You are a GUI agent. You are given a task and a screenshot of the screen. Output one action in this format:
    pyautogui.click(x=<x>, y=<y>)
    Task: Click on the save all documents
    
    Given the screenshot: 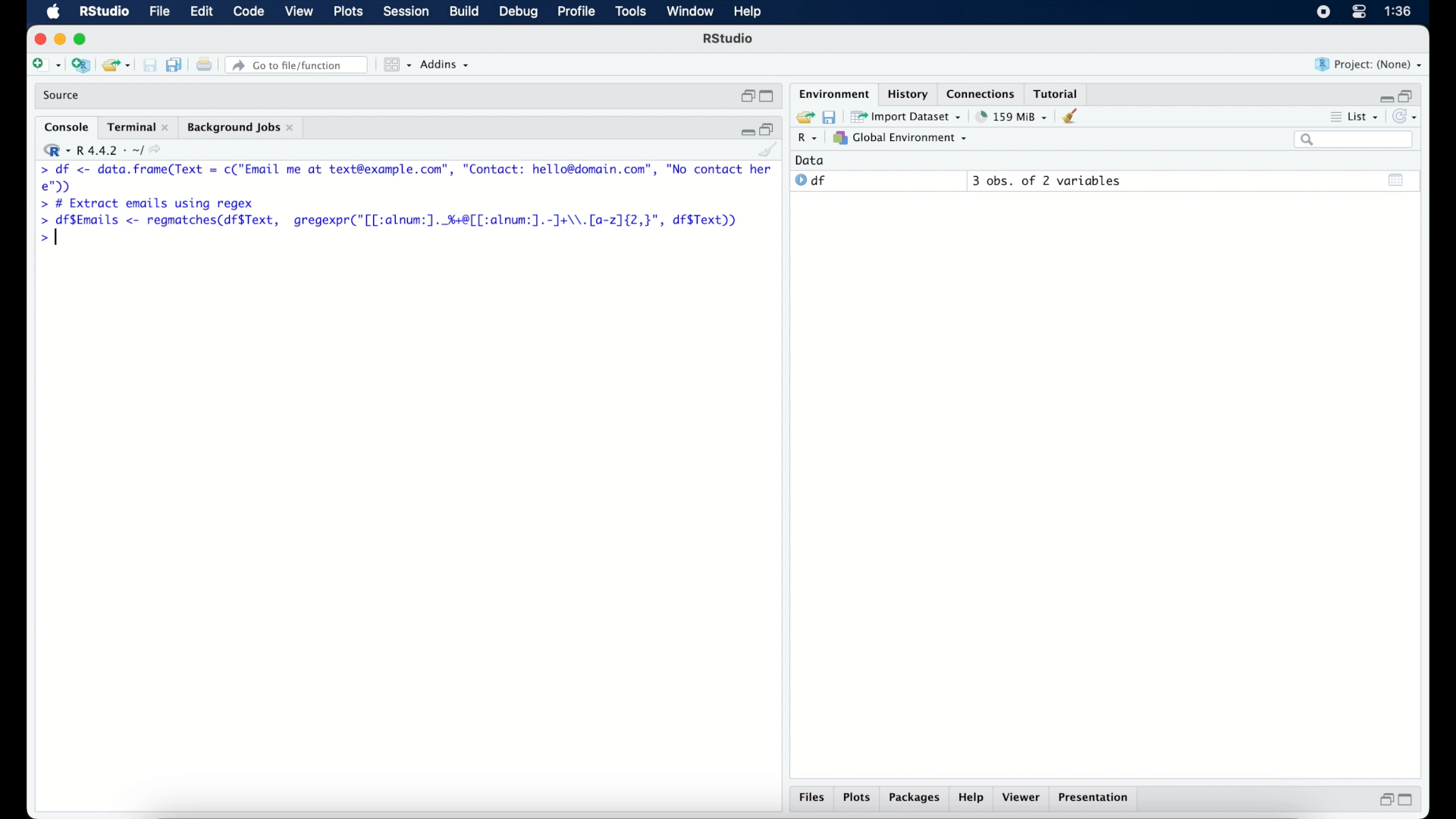 What is the action you would take?
    pyautogui.click(x=174, y=64)
    